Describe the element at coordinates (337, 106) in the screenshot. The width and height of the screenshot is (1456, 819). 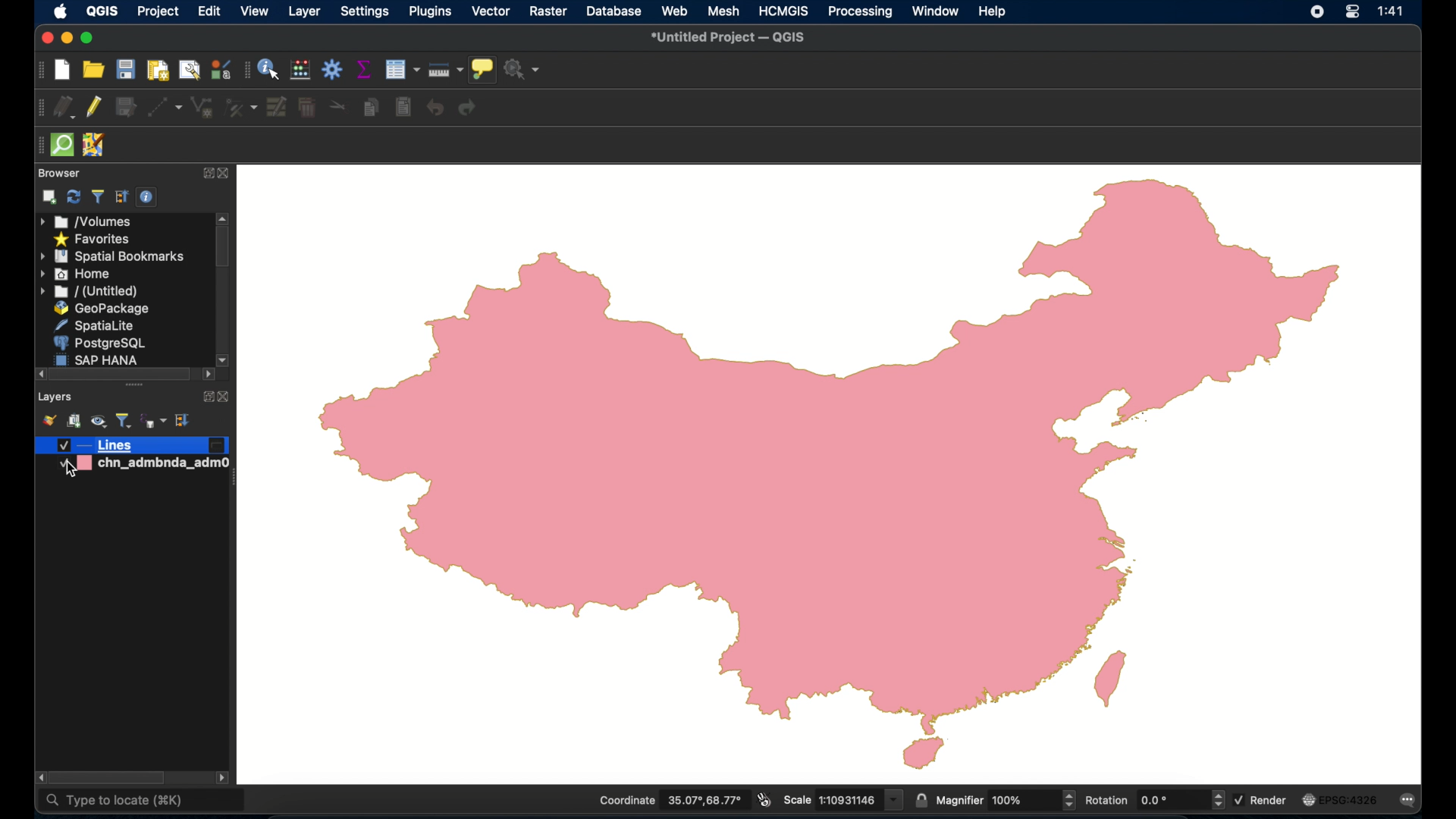
I see `cut features` at that location.